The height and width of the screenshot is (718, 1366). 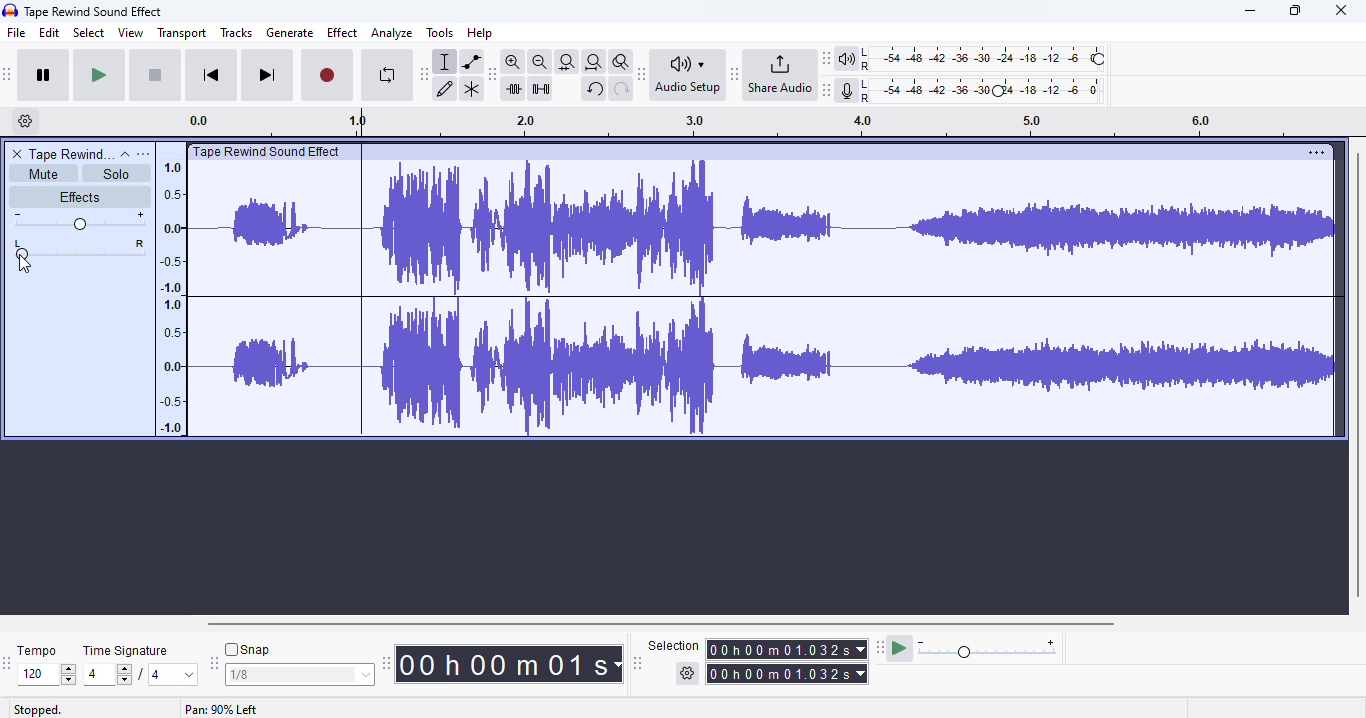 What do you see at coordinates (691, 75) in the screenshot?
I see `audio setup` at bounding box center [691, 75].